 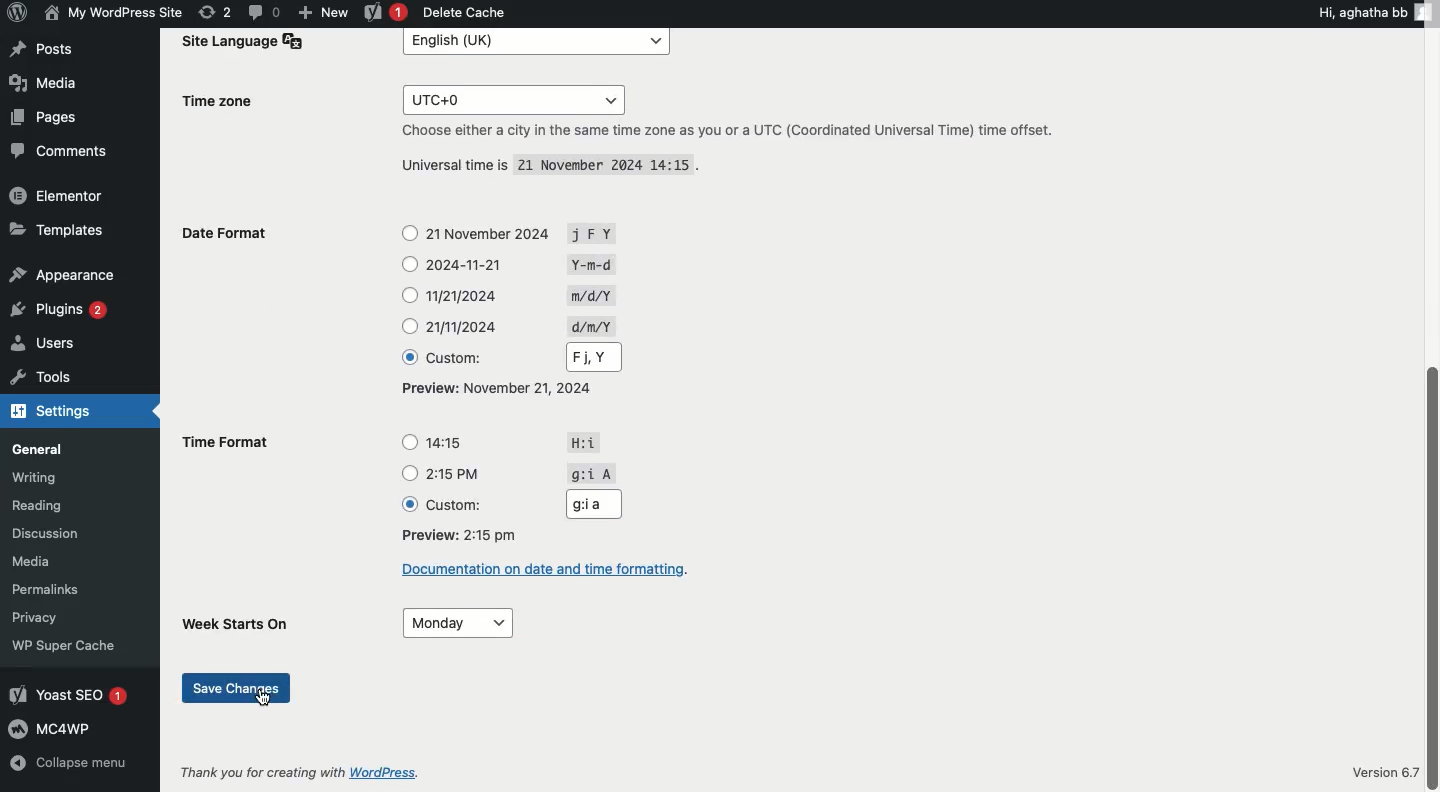 I want to click on scroll bar, so click(x=1431, y=577).